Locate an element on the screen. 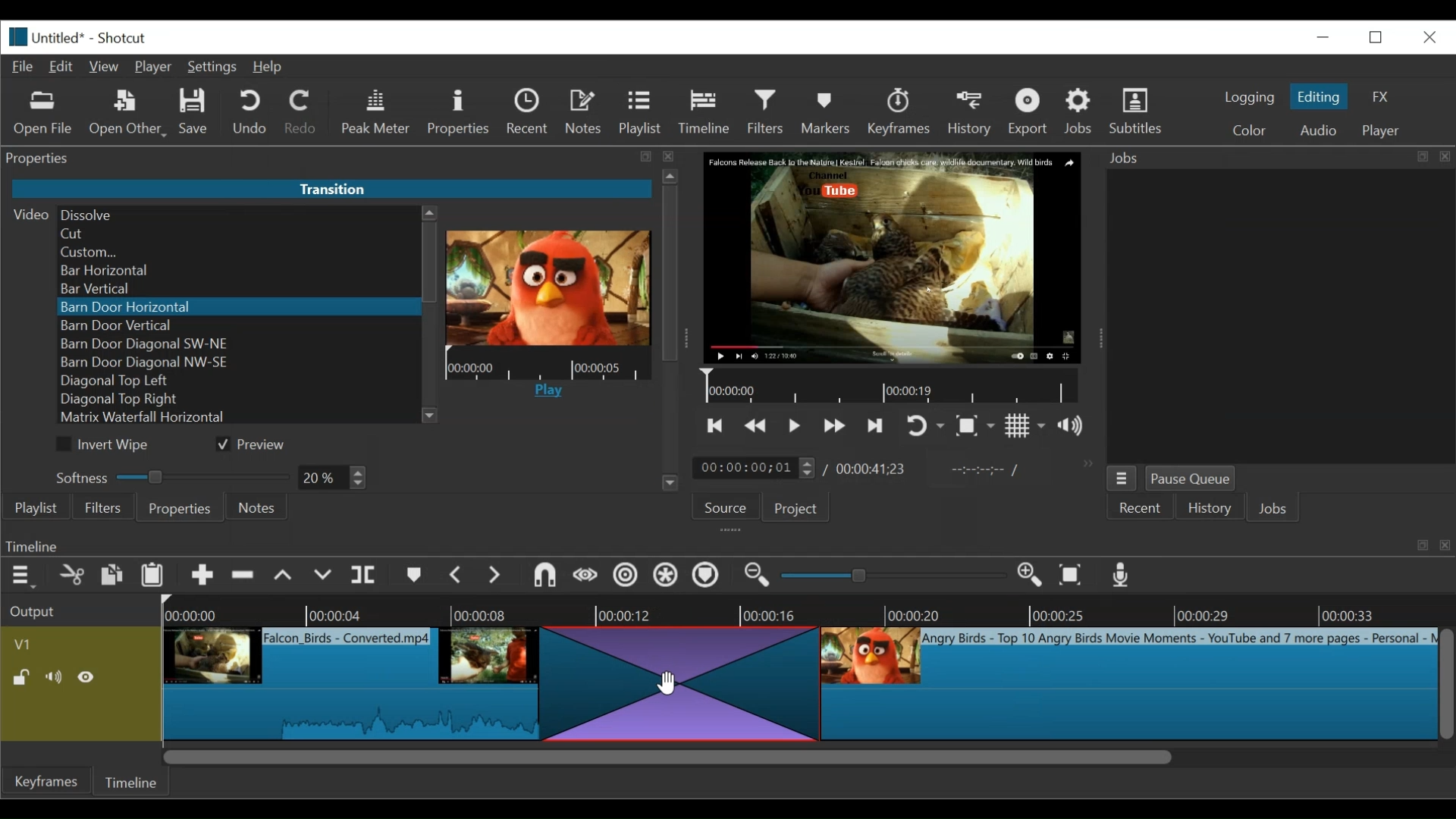 The image size is (1456, 819). Append is located at coordinates (202, 576).